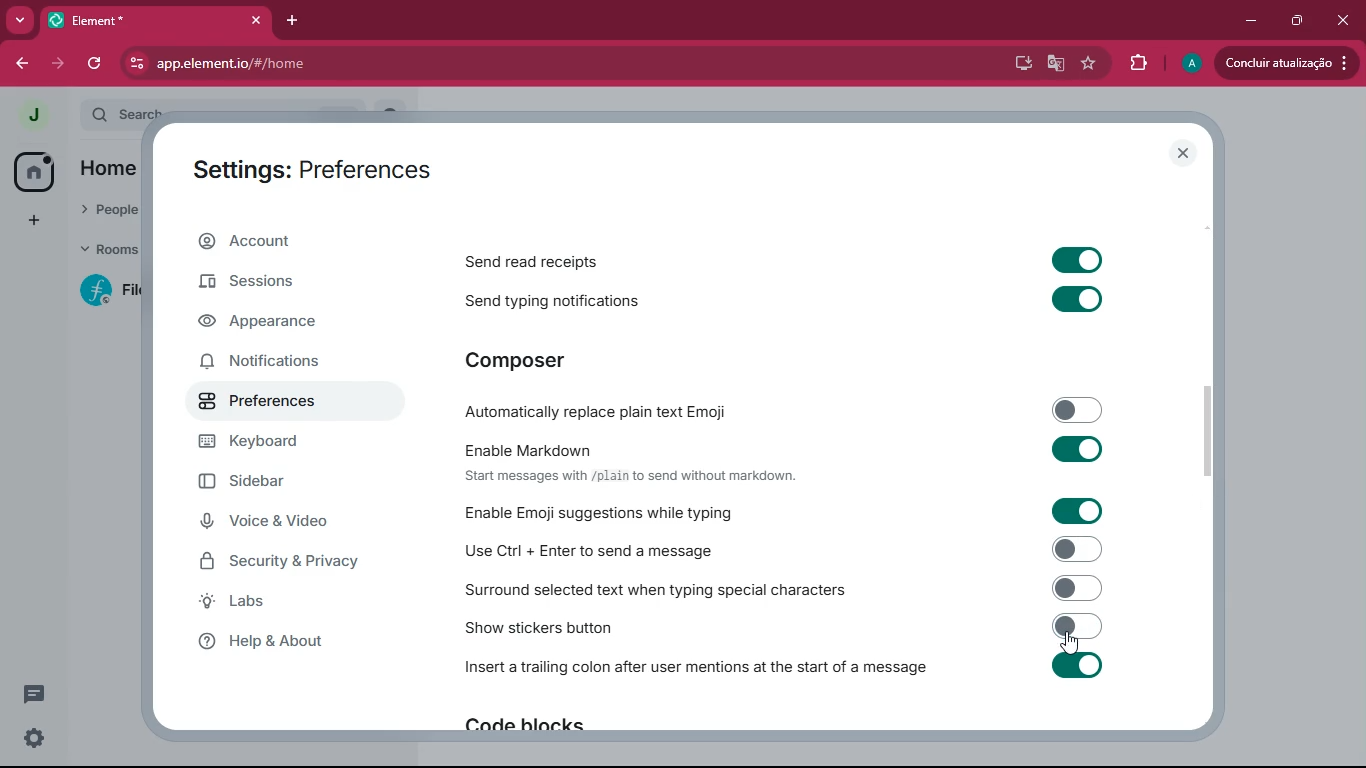 This screenshot has height=768, width=1366. Describe the element at coordinates (285, 365) in the screenshot. I see `notifications` at that location.